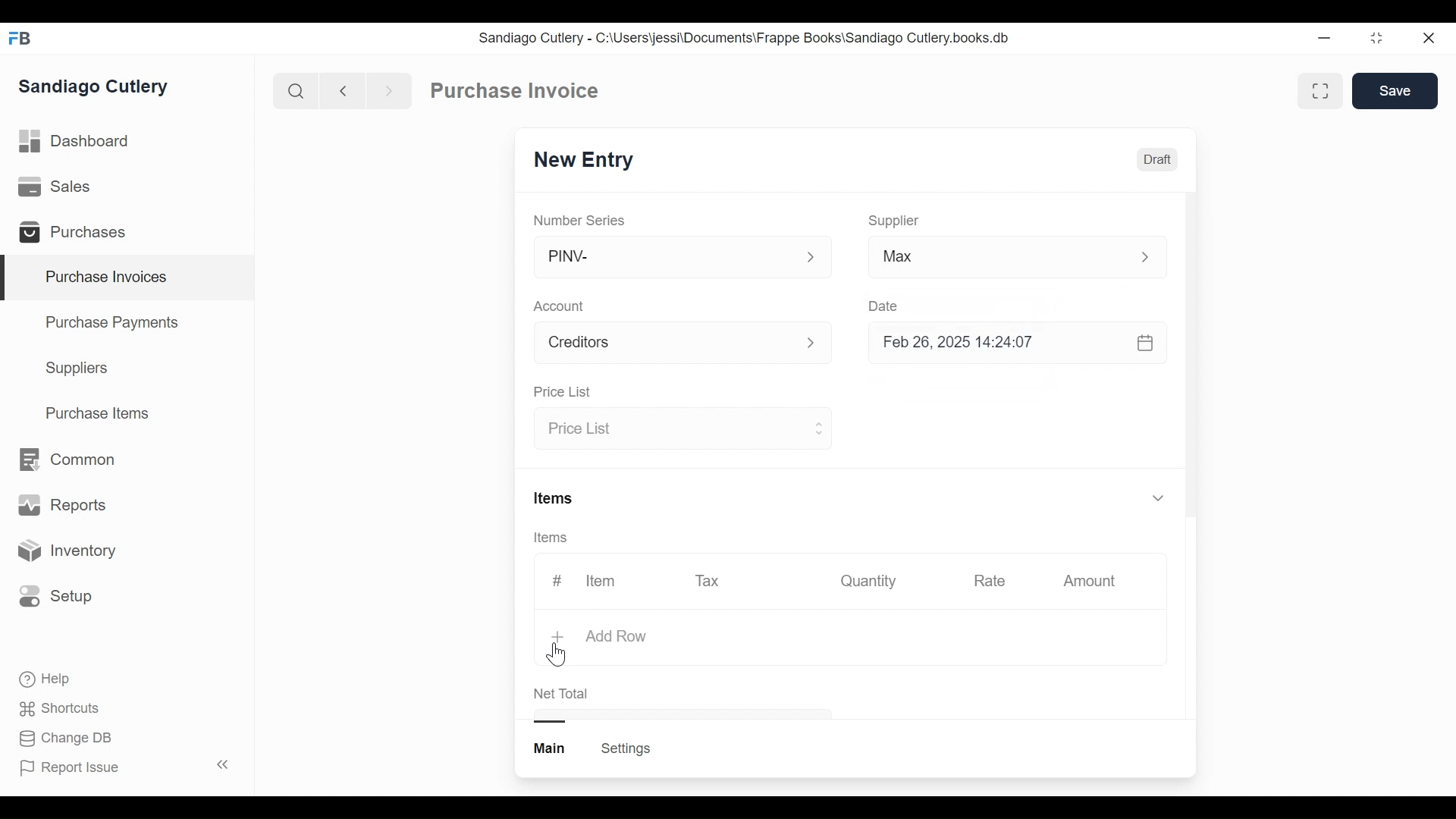 The width and height of the screenshot is (1456, 819). What do you see at coordinates (588, 161) in the screenshot?
I see `New Entry` at bounding box center [588, 161].